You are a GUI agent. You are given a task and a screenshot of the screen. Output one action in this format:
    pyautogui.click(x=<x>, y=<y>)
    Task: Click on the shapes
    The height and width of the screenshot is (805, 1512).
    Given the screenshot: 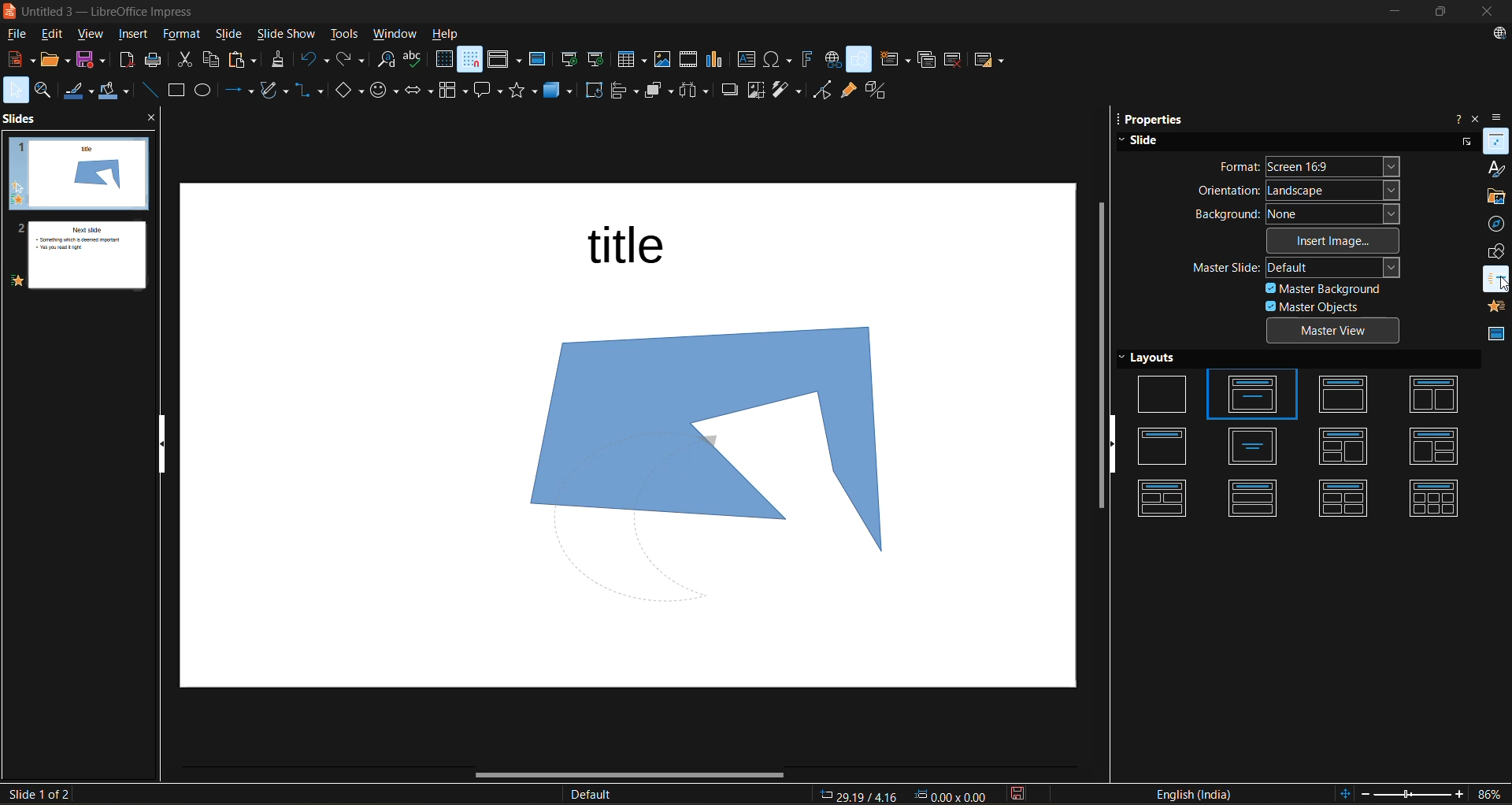 What is the action you would take?
    pyautogui.click(x=1498, y=254)
    